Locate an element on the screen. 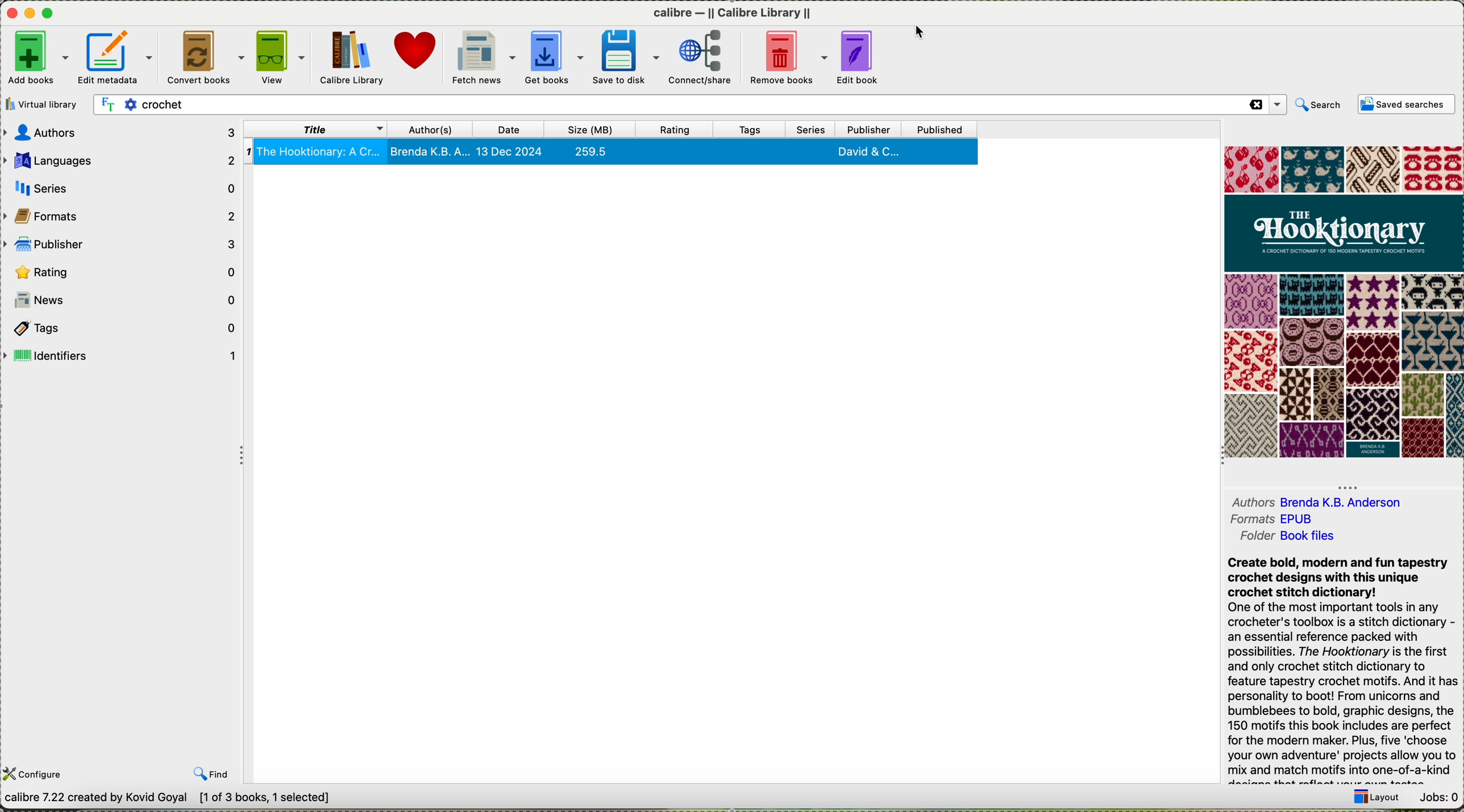 The image size is (1464, 812). calibre library is located at coordinates (733, 13).